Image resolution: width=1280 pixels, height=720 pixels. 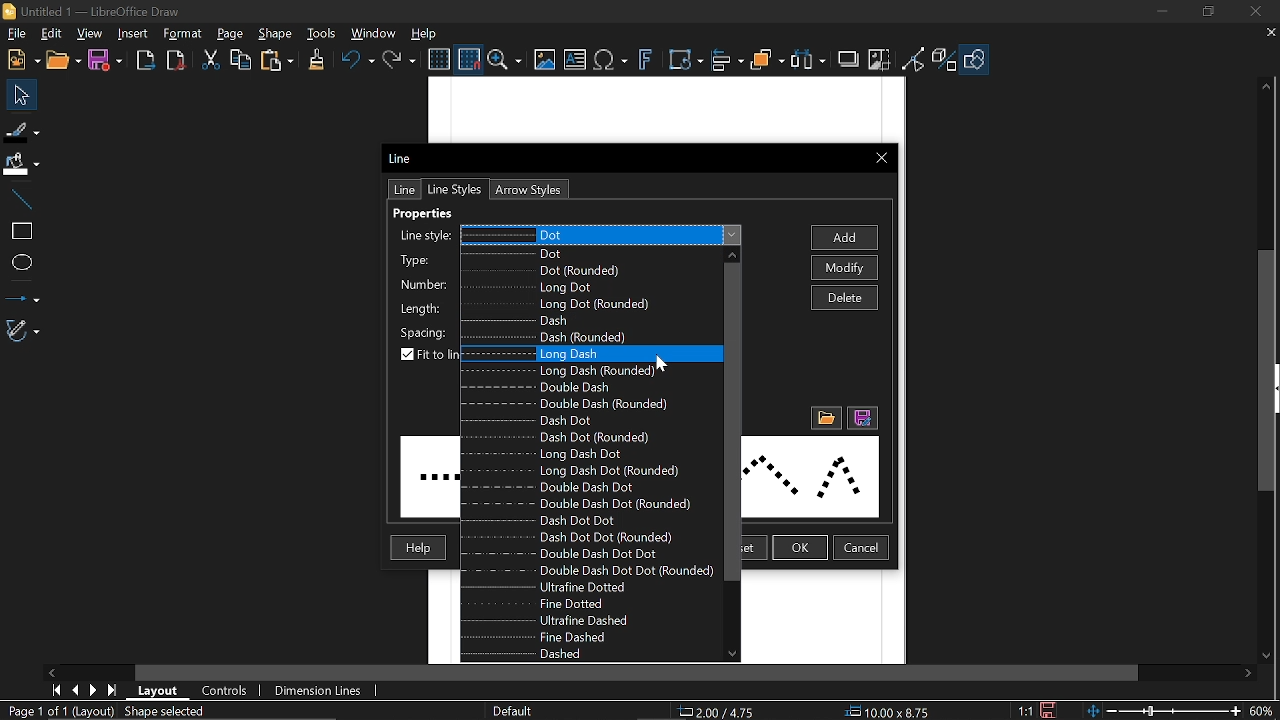 I want to click on File, so click(x=825, y=419).